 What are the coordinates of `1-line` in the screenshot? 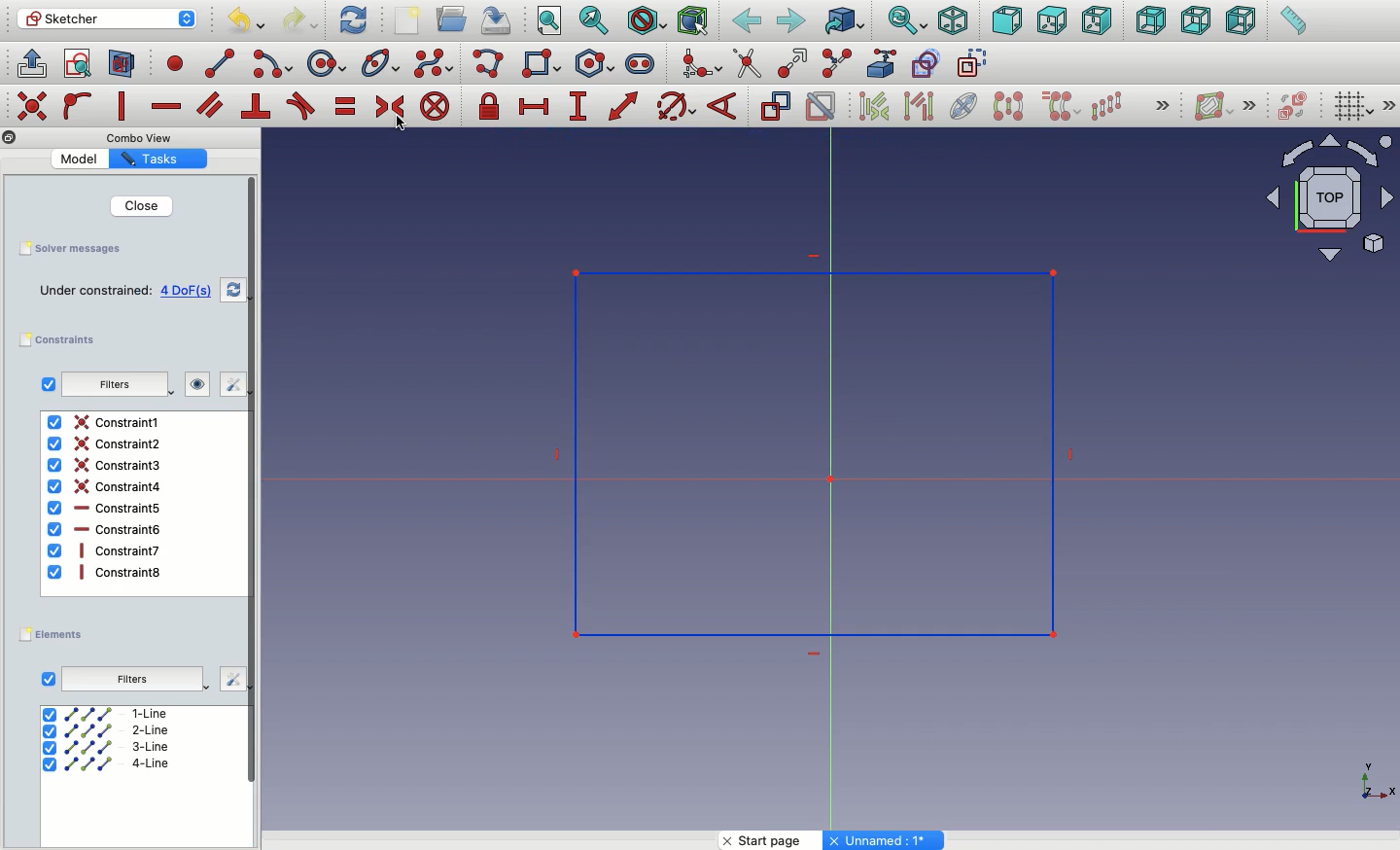 It's located at (108, 713).